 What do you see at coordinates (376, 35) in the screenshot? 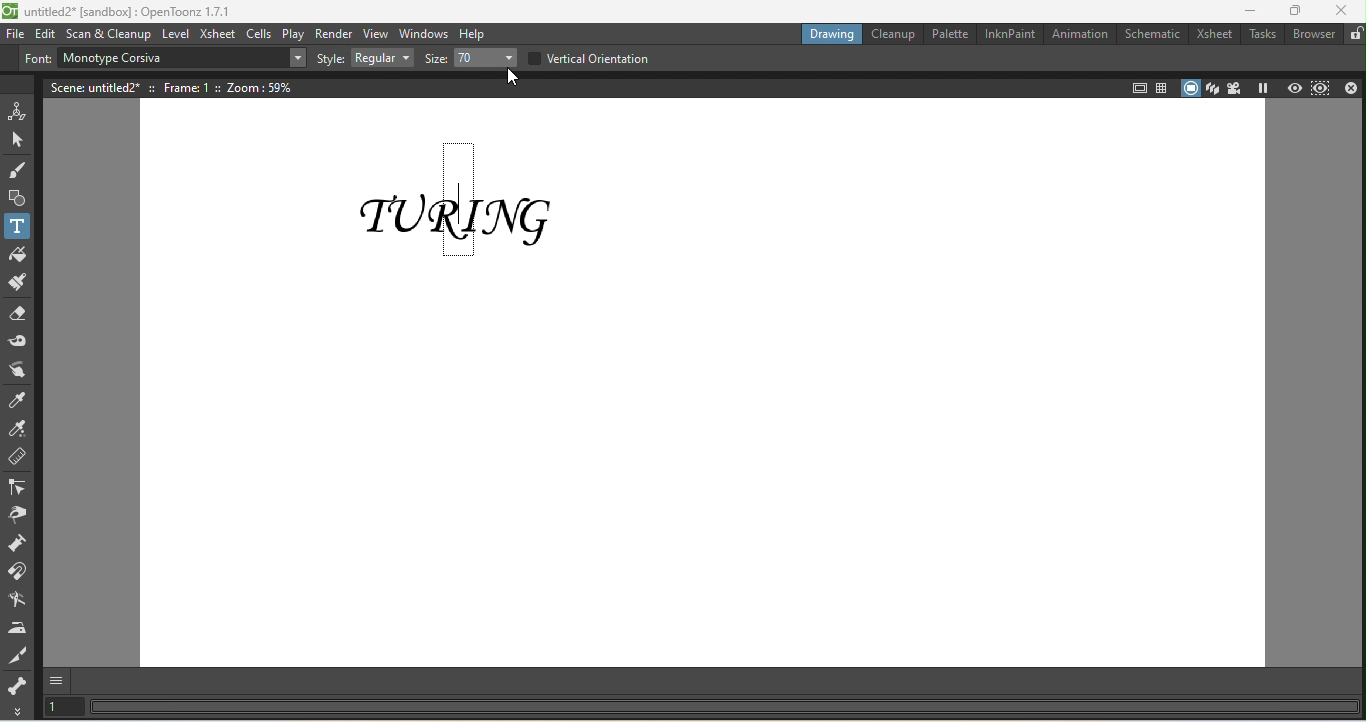
I see `View` at bounding box center [376, 35].